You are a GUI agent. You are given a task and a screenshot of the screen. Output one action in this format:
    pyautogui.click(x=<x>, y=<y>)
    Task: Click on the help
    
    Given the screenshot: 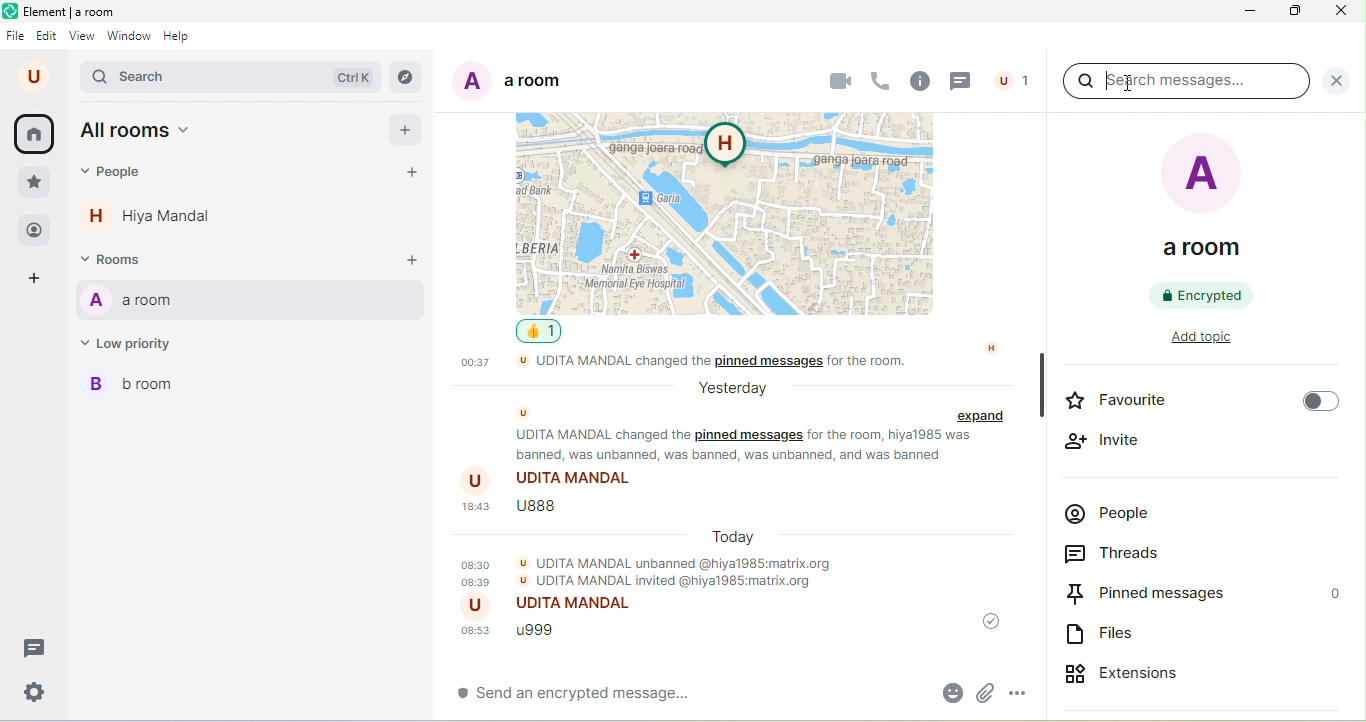 What is the action you would take?
    pyautogui.click(x=182, y=39)
    